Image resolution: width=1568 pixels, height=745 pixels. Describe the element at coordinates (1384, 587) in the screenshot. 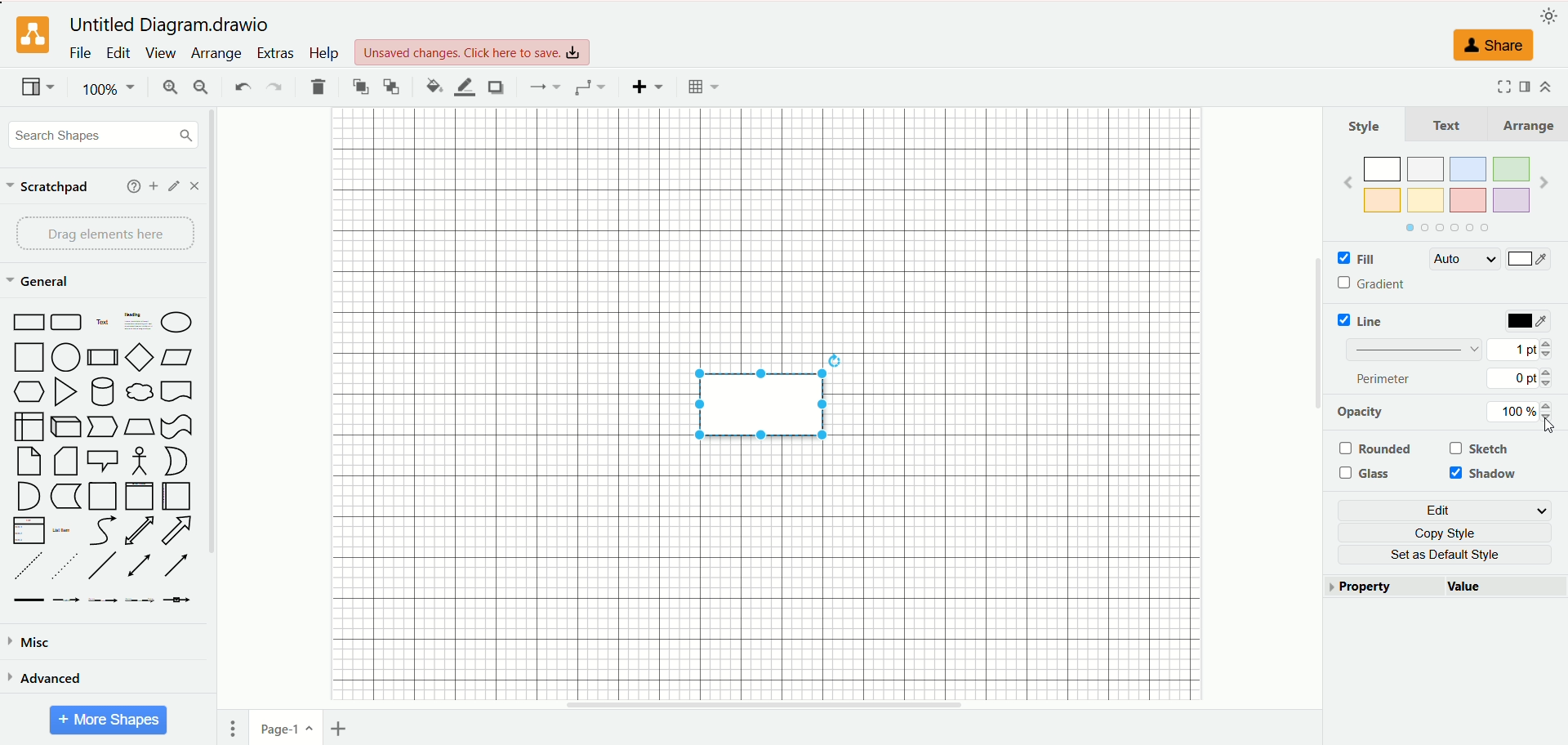

I see `property` at that location.